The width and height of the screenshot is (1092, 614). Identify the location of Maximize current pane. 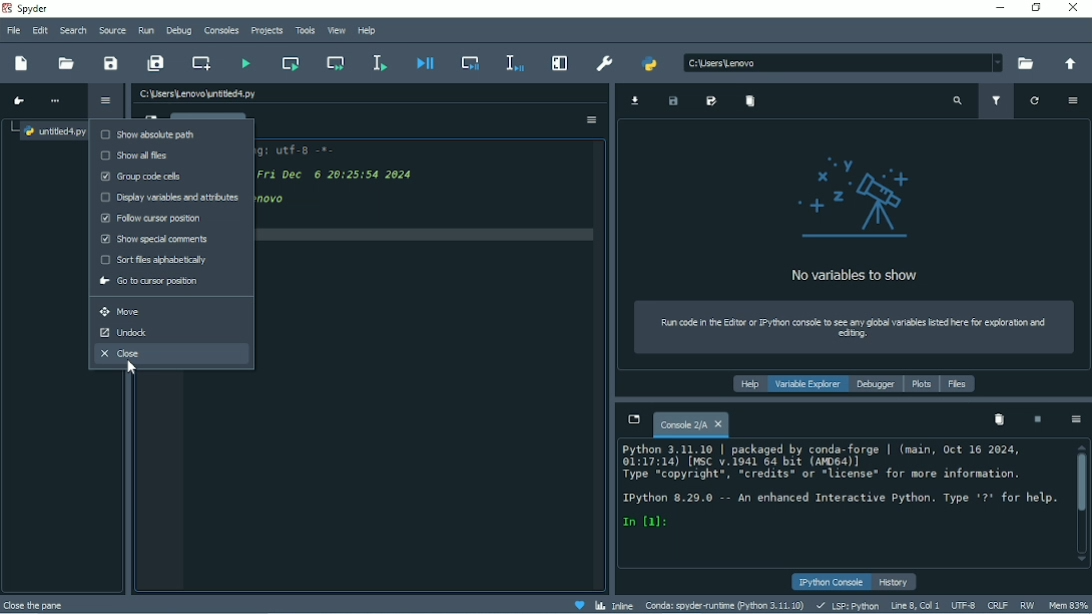
(558, 62).